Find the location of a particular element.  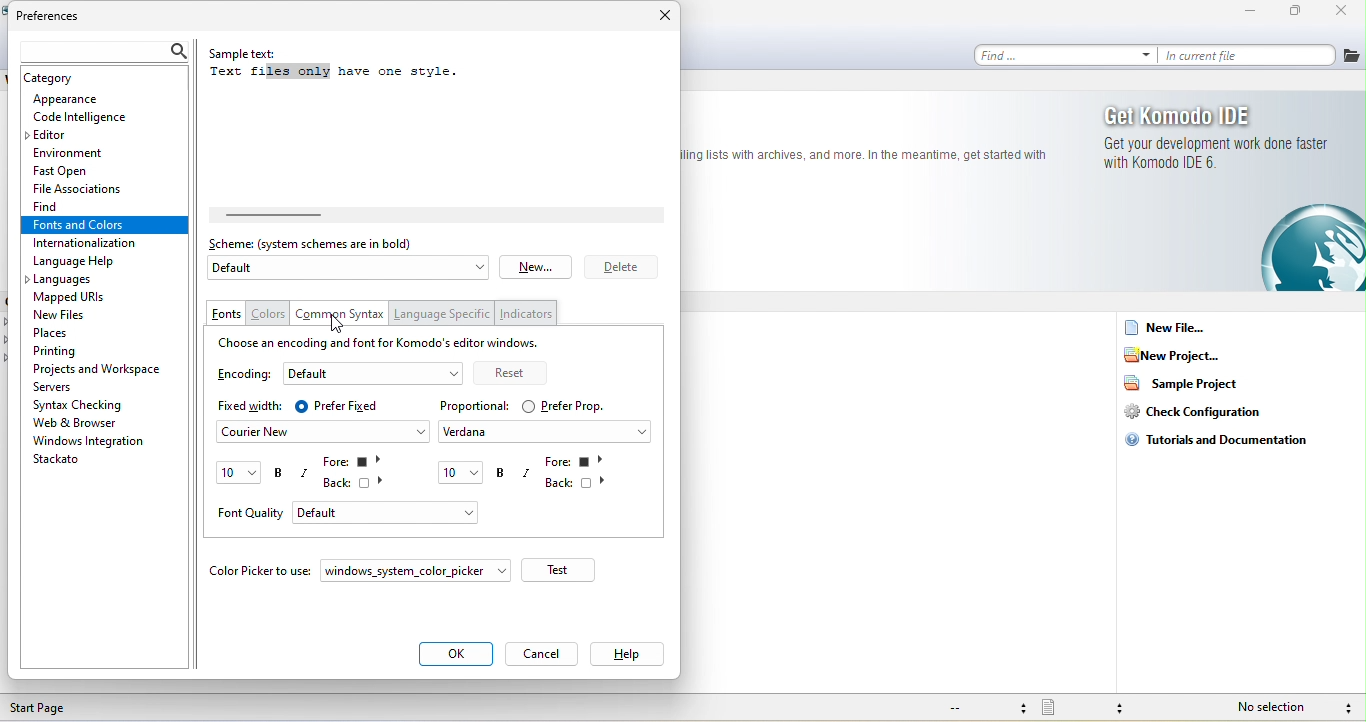

scheme is located at coordinates (321, 244).